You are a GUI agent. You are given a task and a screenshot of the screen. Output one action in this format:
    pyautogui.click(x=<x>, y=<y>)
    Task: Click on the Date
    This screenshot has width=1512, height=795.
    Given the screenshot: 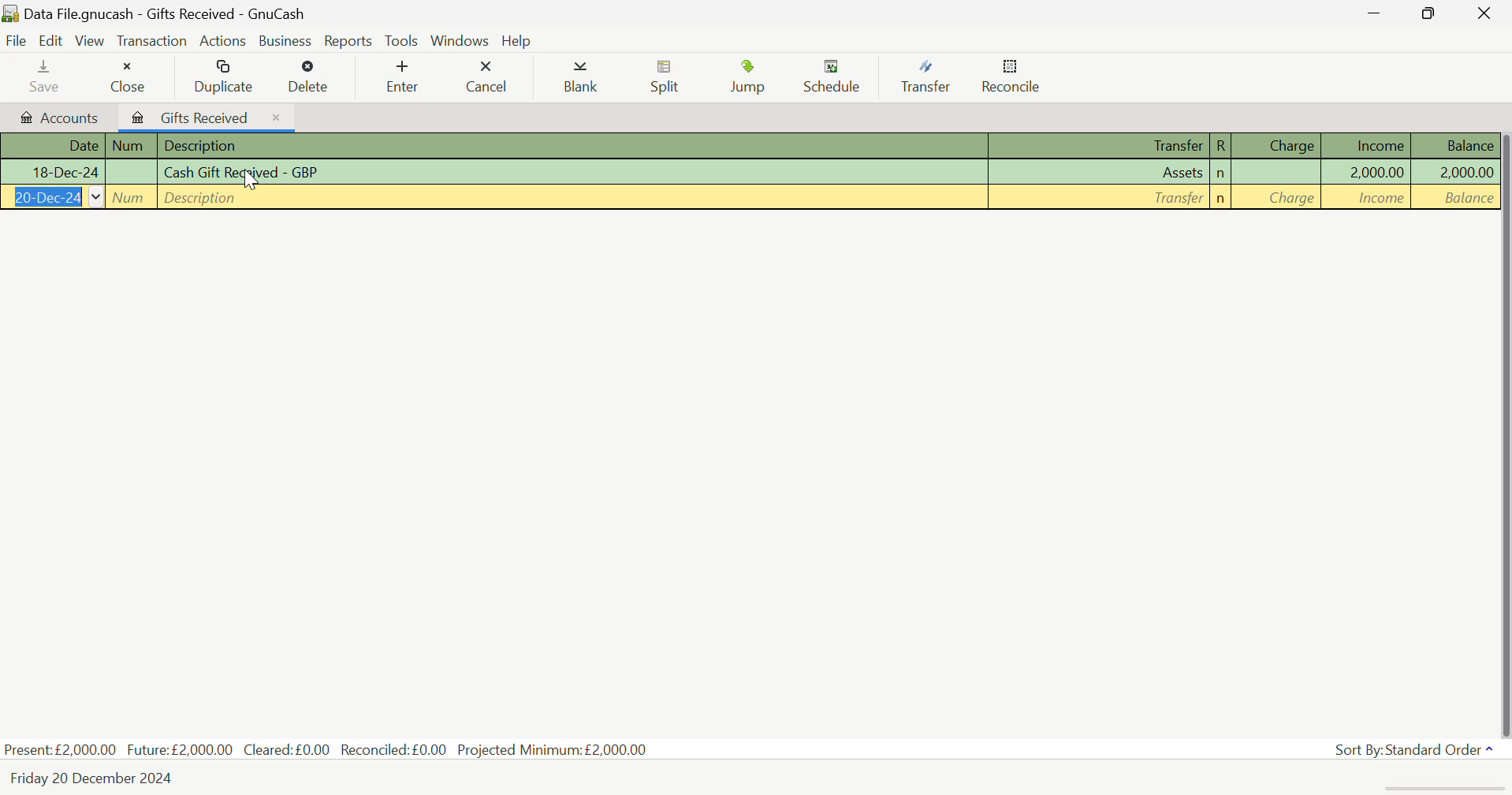 What is the action you would take?
    pyautogui.click(x=53, y=198)
    